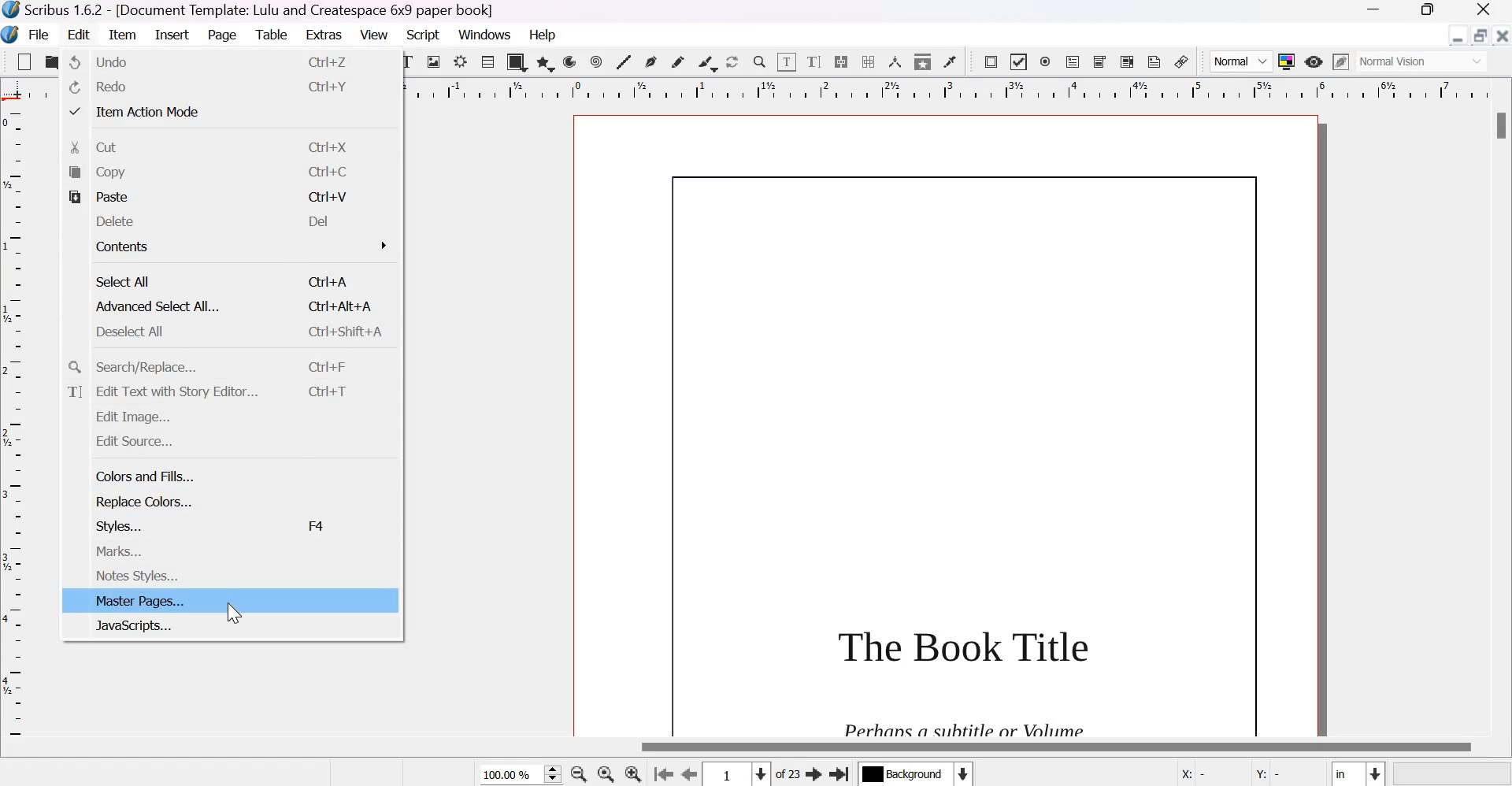  I want to click on Text annotation, so click(1154, 61).